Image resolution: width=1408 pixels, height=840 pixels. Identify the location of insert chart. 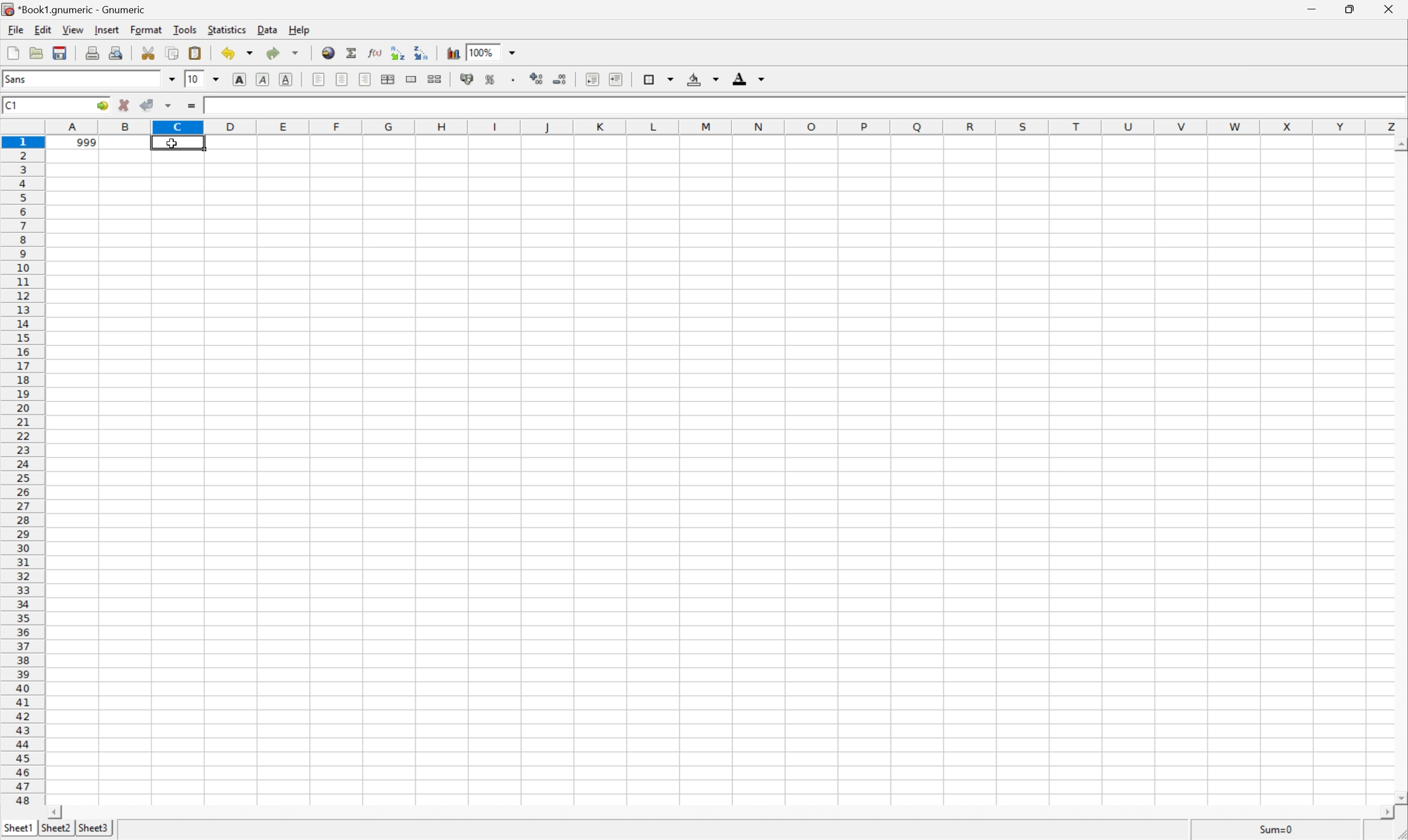
(452, 53).